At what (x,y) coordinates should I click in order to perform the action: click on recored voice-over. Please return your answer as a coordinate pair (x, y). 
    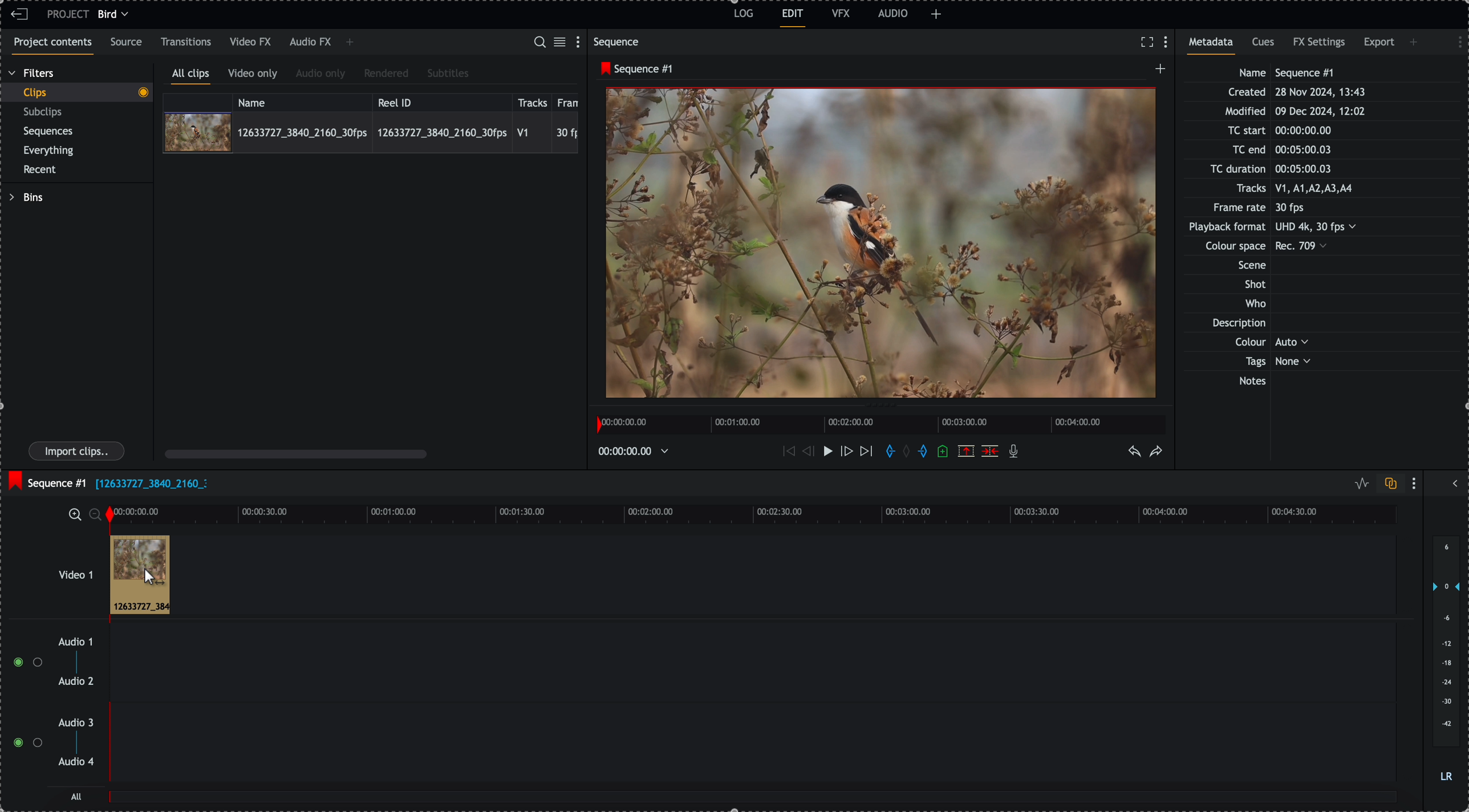
    Looking at the image, I should click on (1016, 452).